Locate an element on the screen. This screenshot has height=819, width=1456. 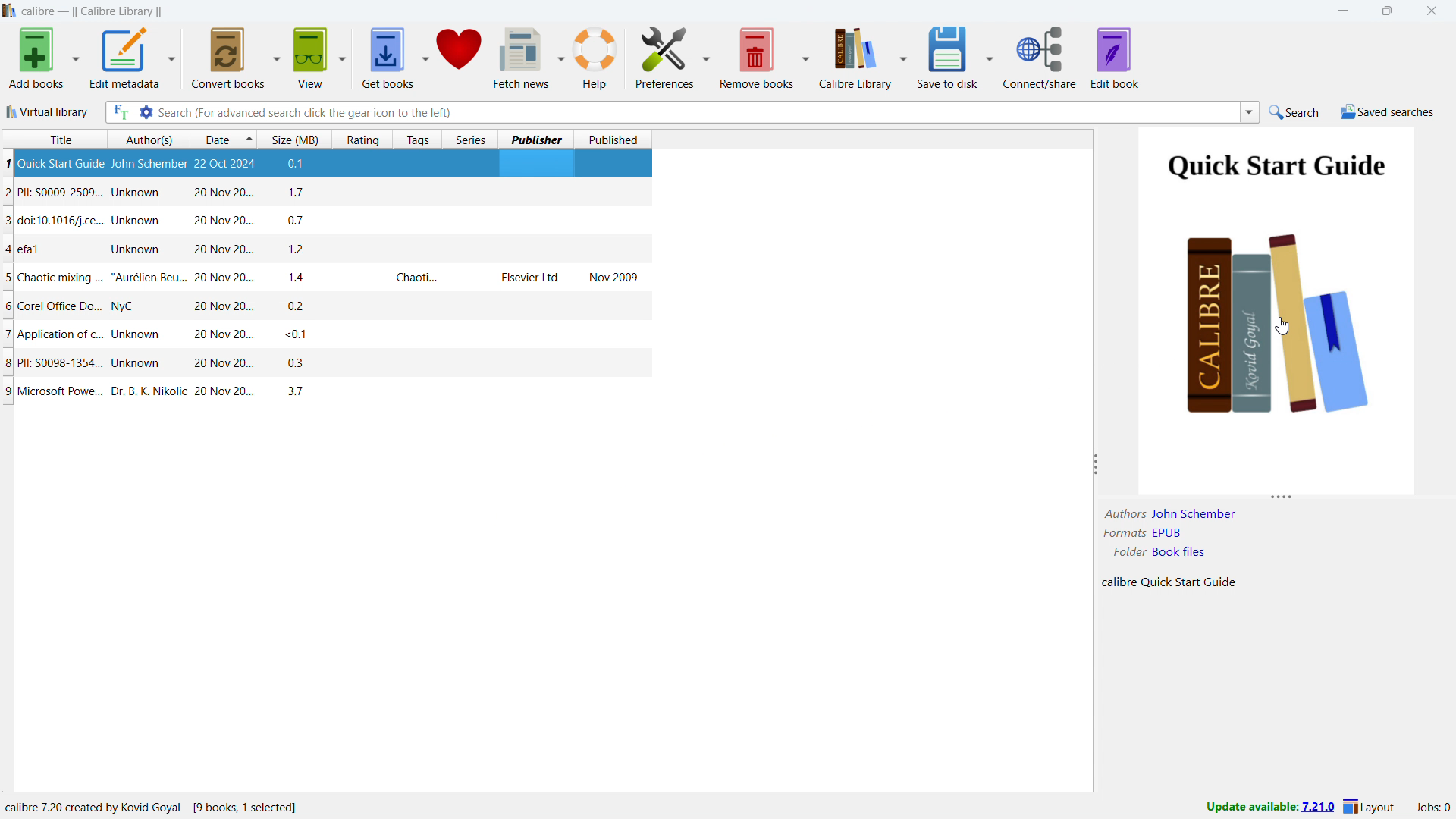
active jobs is located at coordinates (1432, 808).